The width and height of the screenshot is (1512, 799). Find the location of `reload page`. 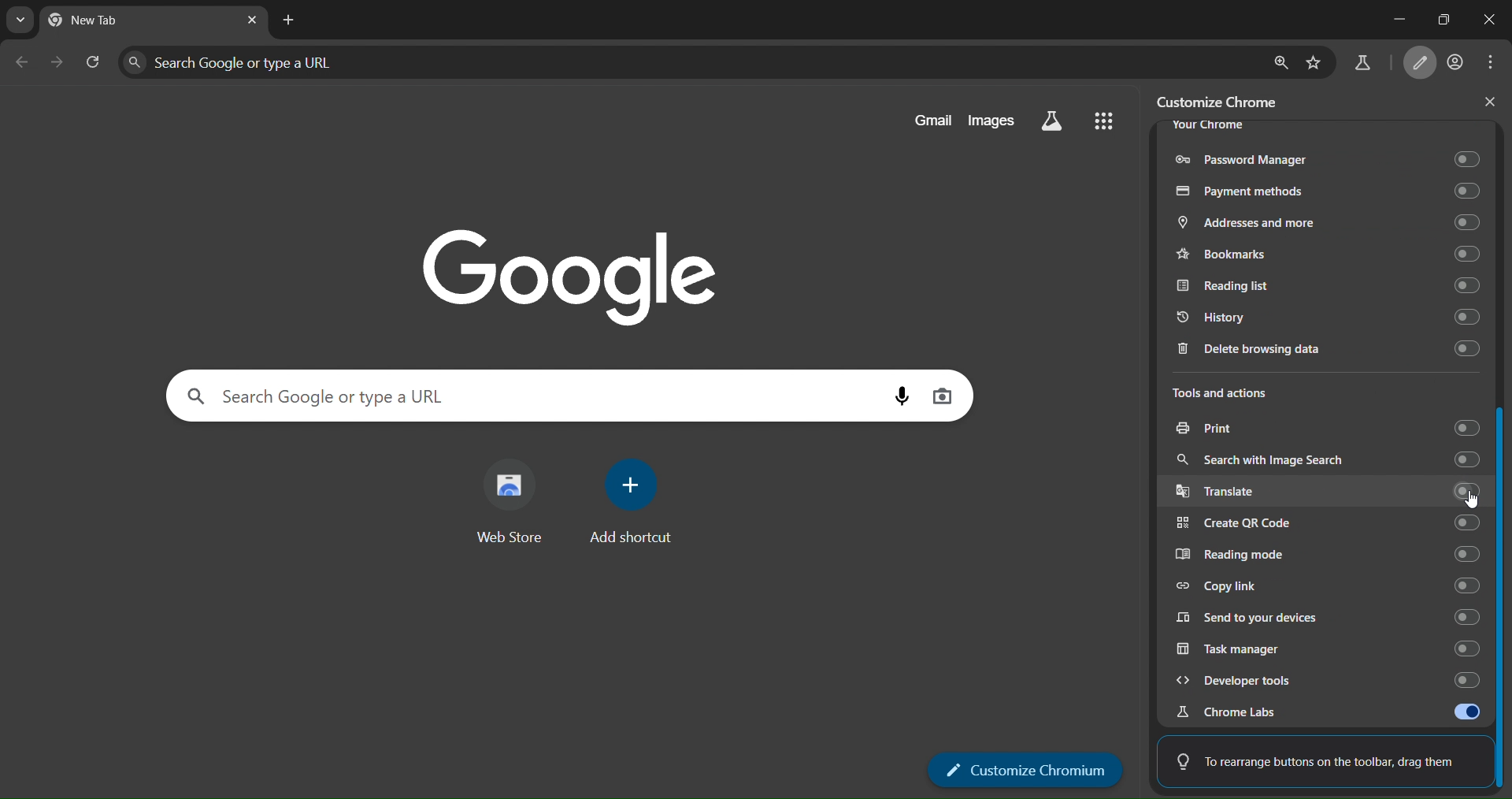

reload page is located at coordinates (94, 63).